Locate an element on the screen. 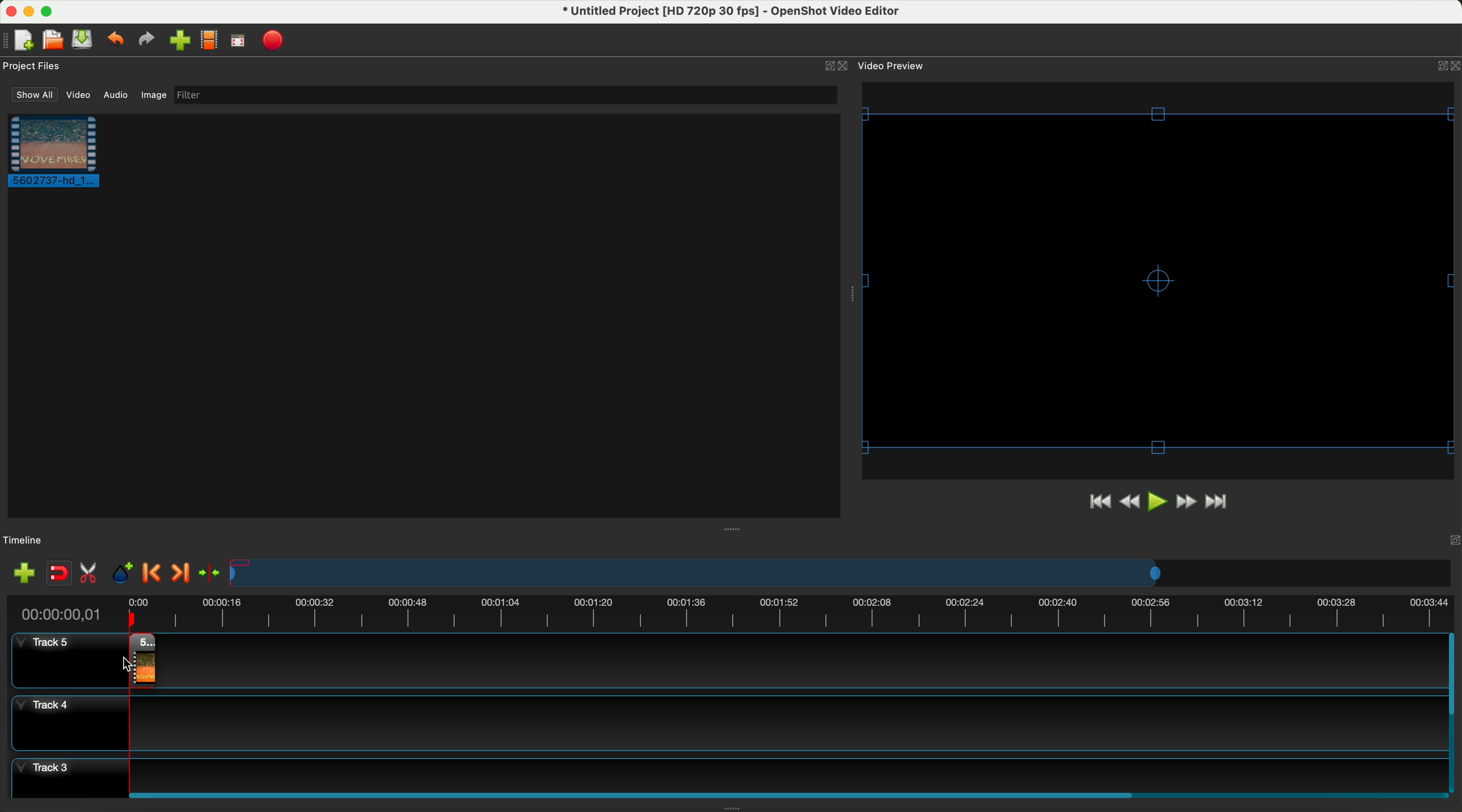 Image resolution: width=1462 pixels, height=812 pixels.  is located at coordinates (1450, 540).